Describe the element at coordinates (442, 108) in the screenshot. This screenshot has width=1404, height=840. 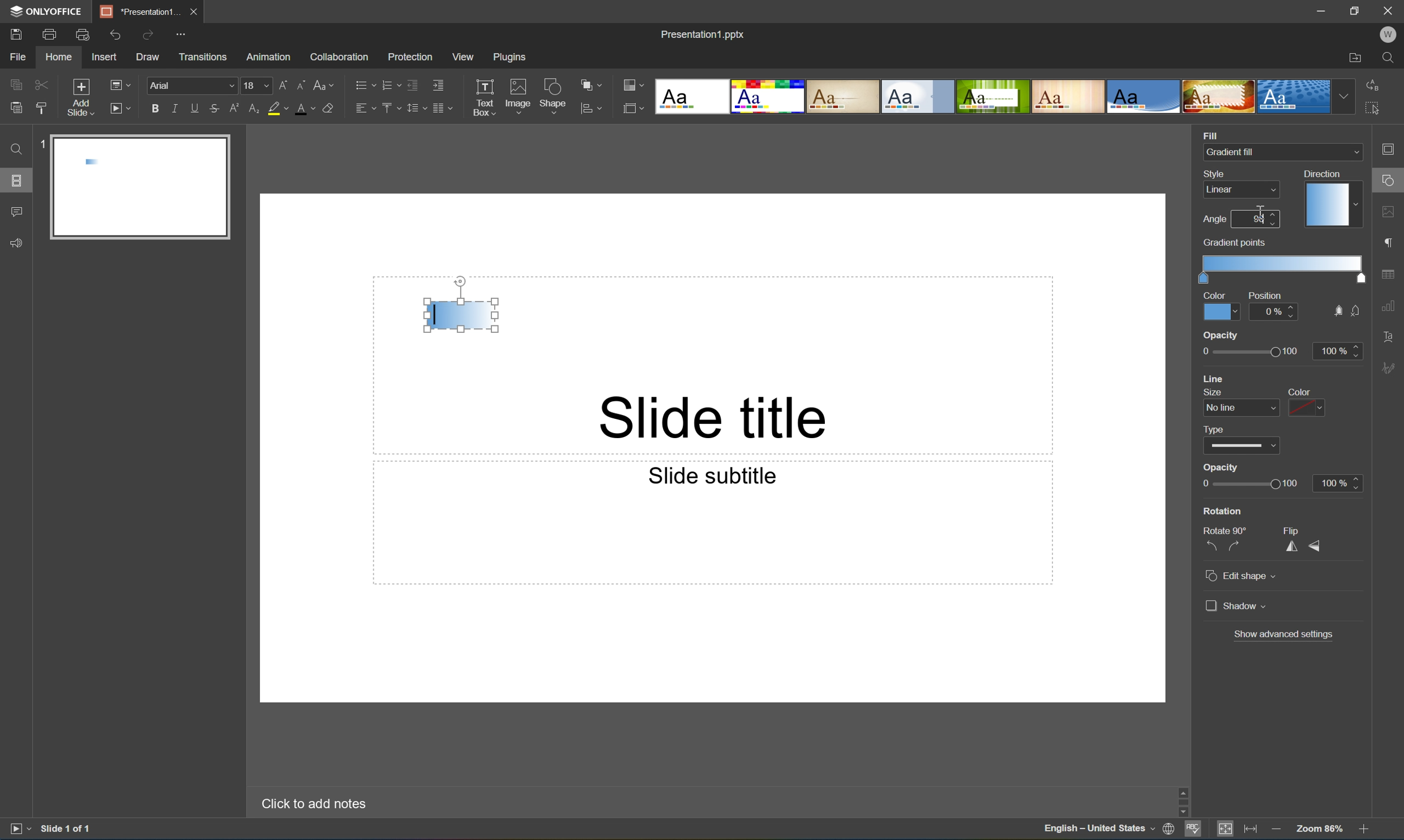
I see `Insert columns` at that location.